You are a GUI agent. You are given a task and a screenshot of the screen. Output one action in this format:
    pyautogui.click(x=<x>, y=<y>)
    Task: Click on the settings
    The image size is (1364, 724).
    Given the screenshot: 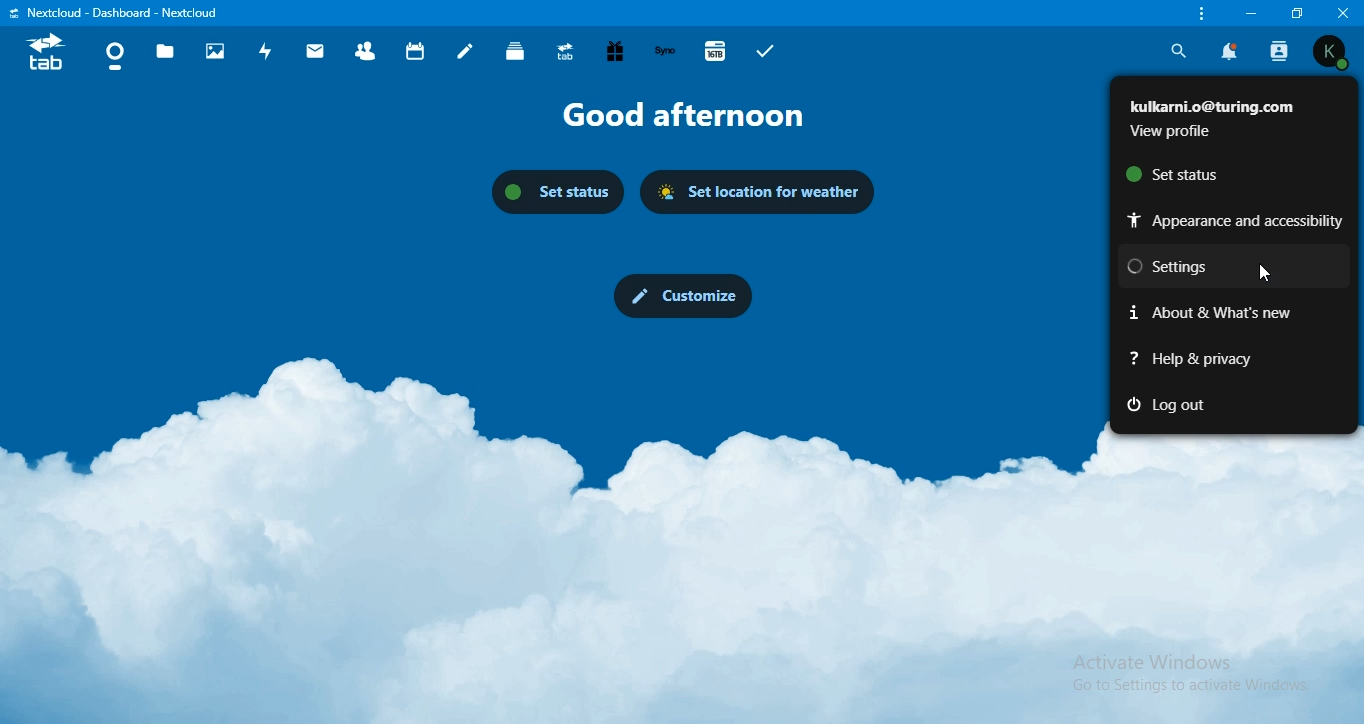 What is the action you would take?
    pyautogui.click(x=1173, y=265)
    